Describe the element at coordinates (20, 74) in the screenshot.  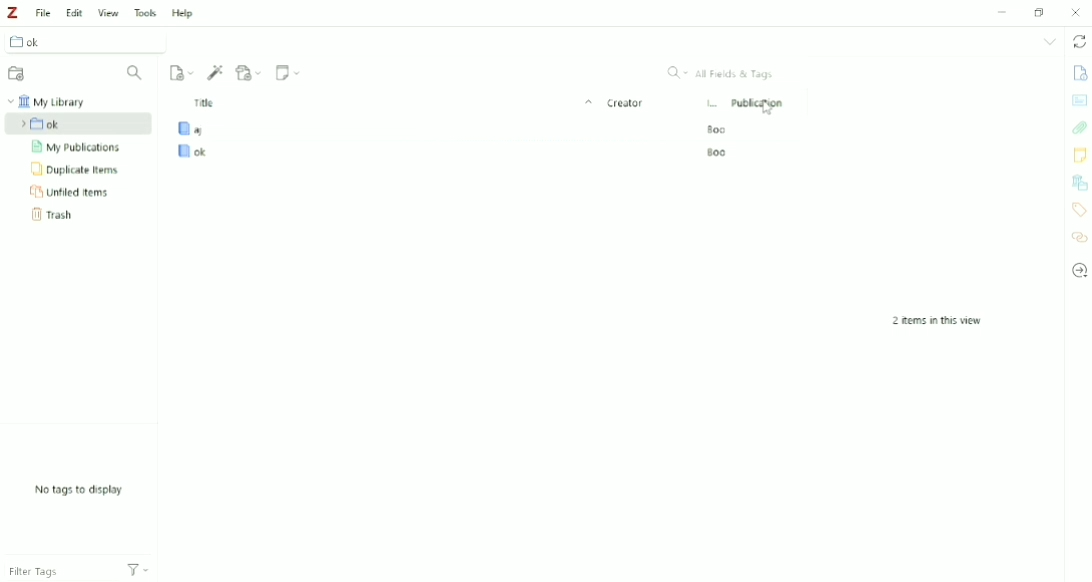
I see `New Collection` at that location.